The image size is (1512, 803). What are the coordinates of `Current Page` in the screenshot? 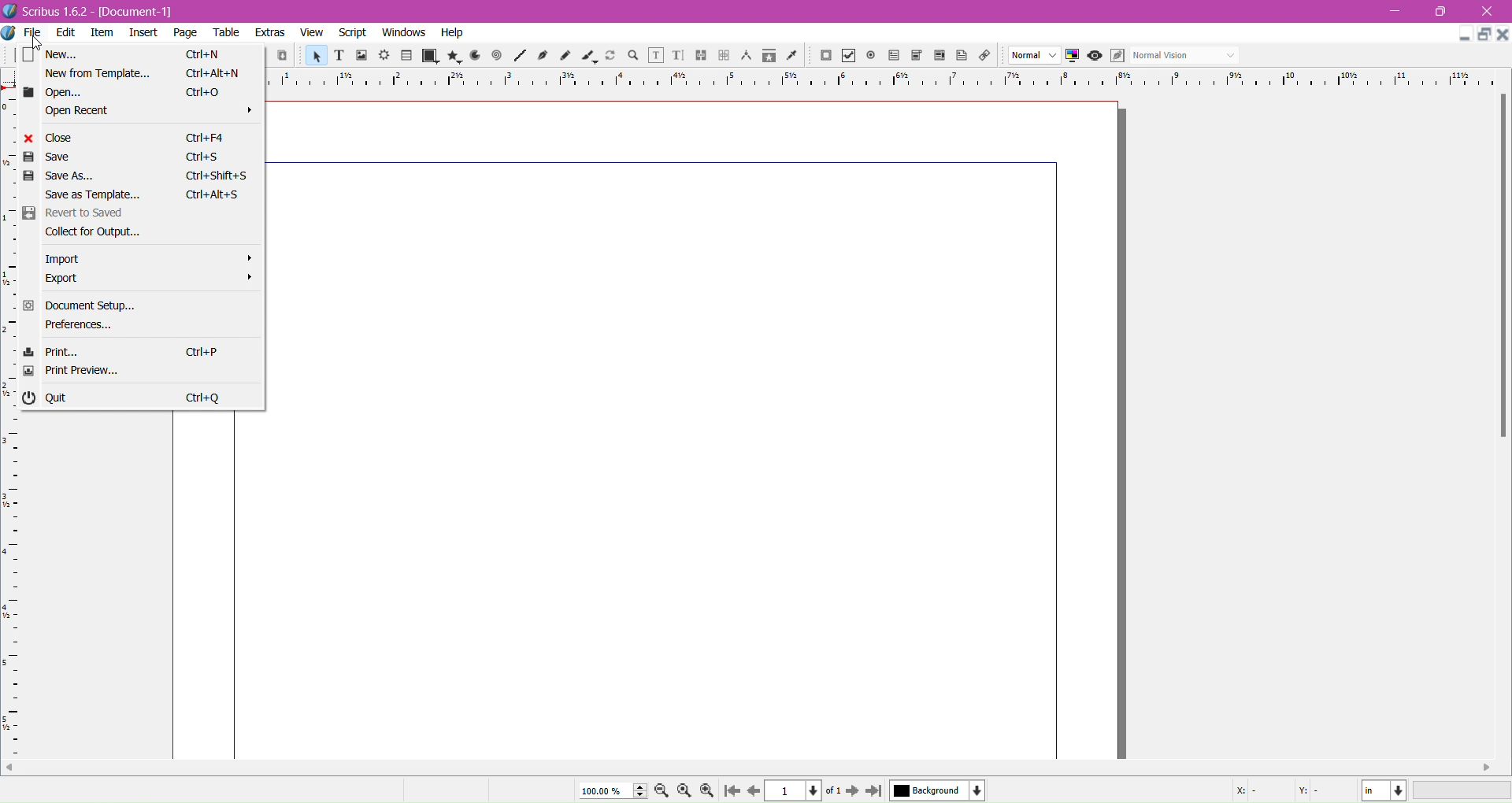 It's located at (802, 791).